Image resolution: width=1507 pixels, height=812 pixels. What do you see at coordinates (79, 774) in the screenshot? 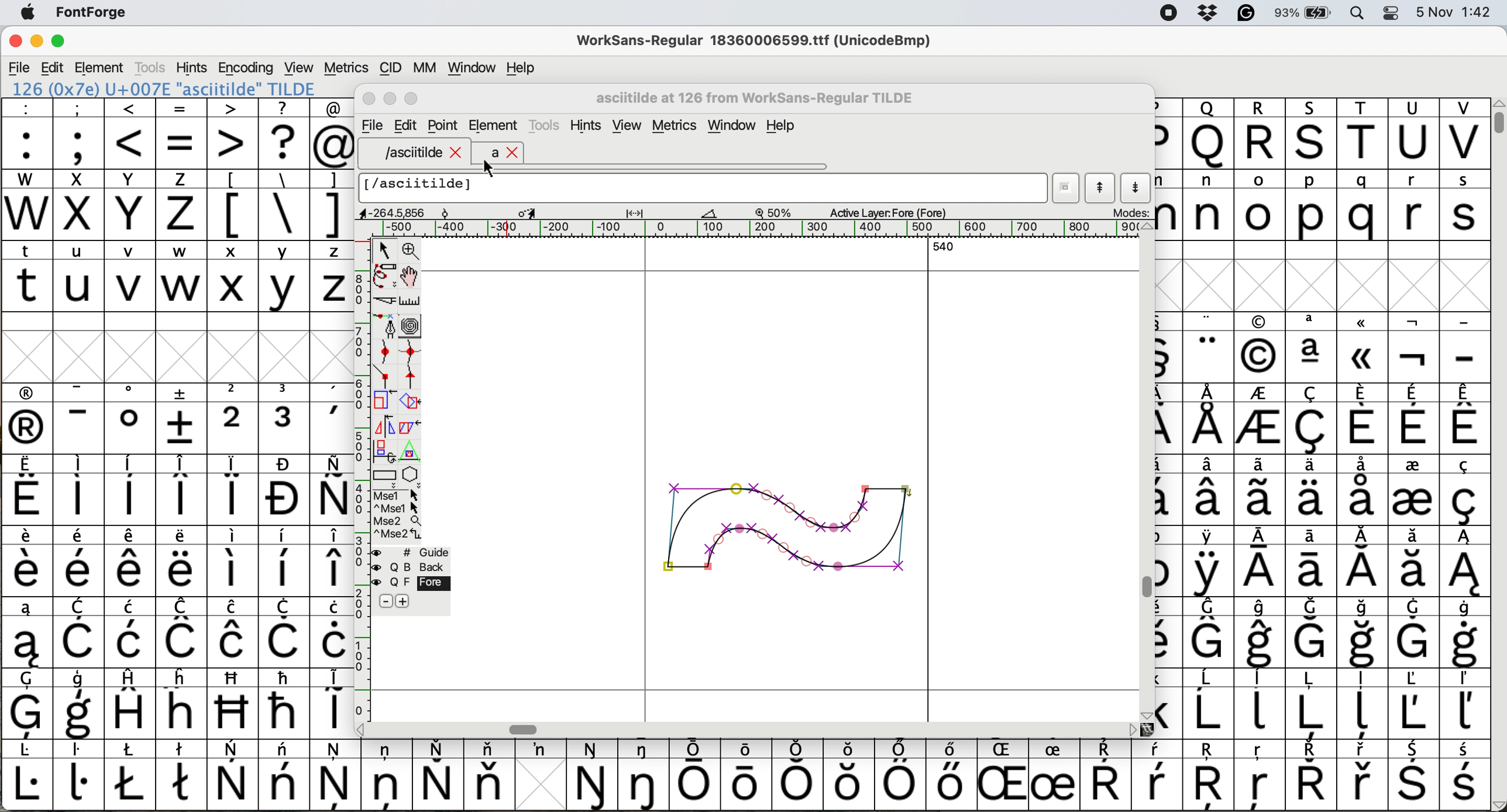
I see `symbol` at bounding box center [79, 774].